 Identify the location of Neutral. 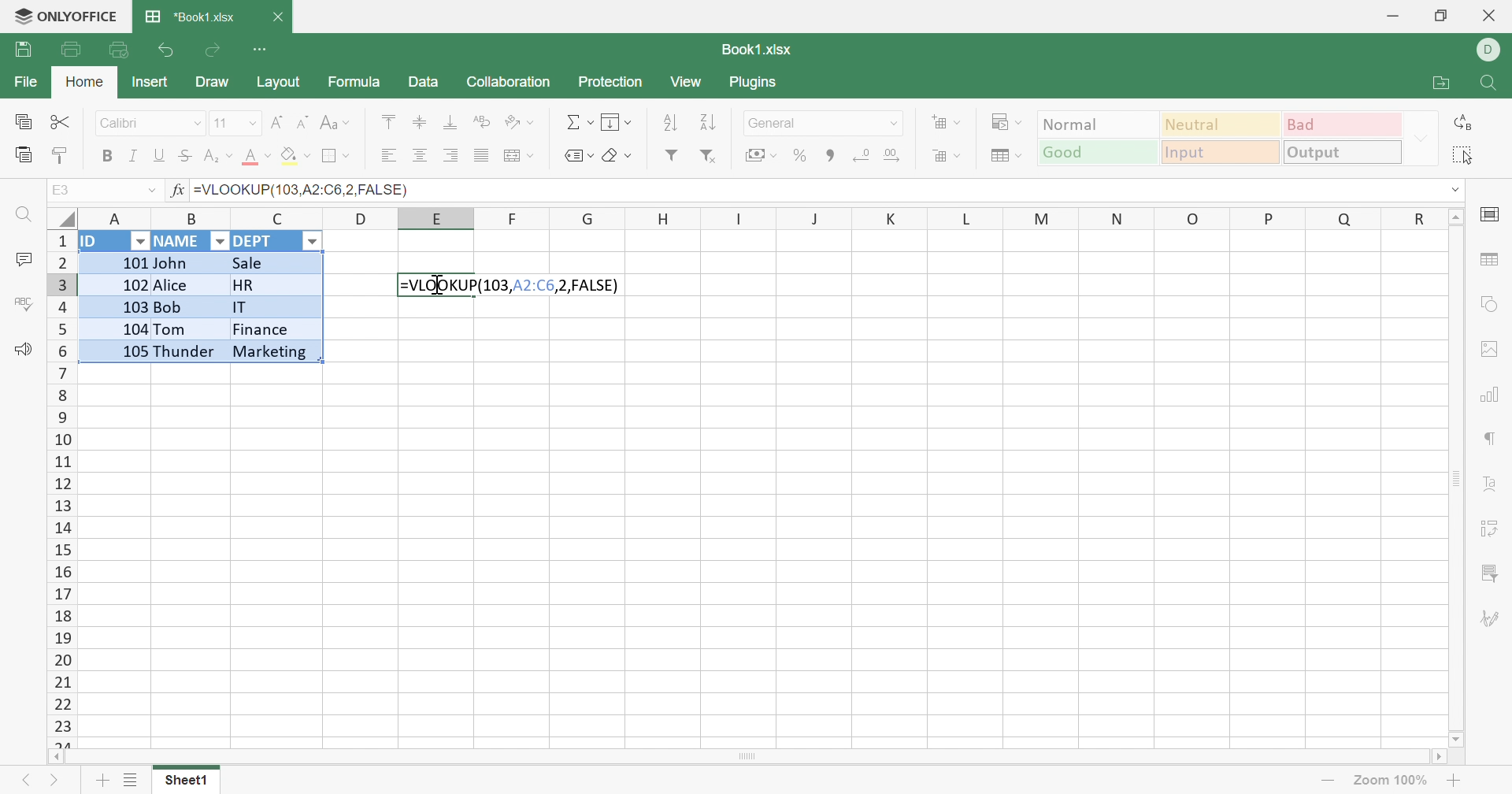
(1222, 124).